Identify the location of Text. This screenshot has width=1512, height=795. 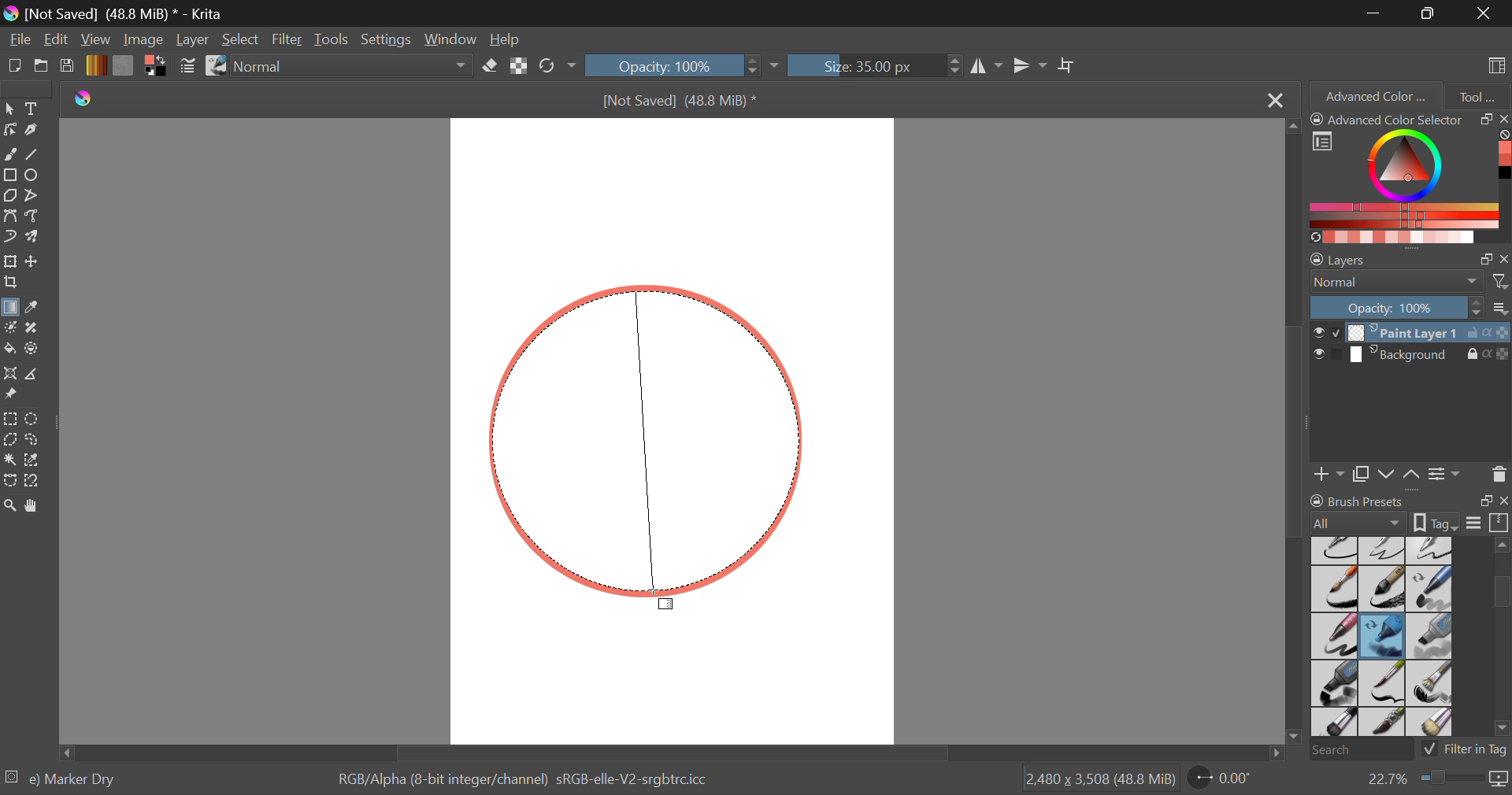
(34, 108).